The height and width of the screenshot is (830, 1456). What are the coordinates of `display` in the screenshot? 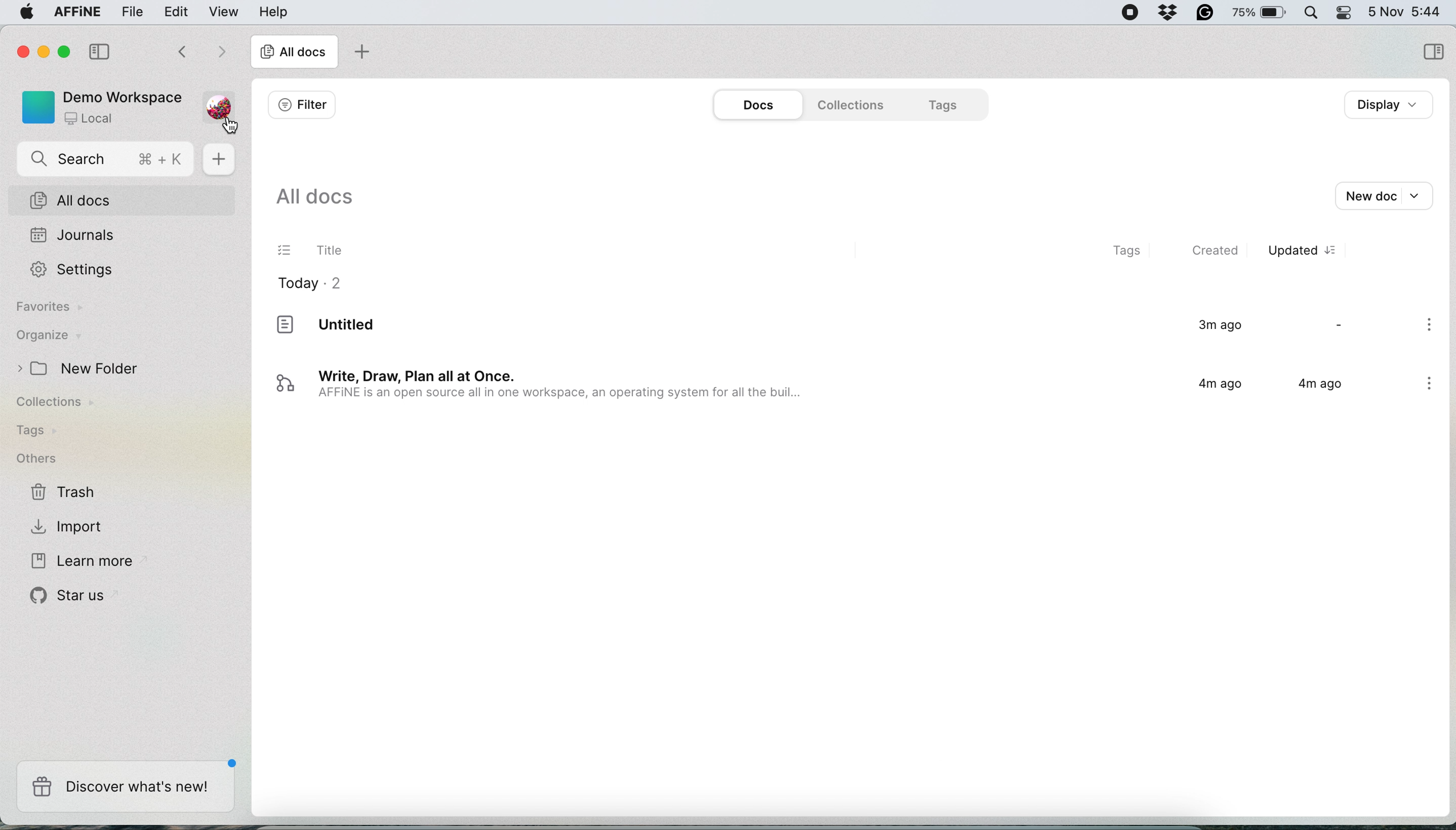 It's located at (1393, 105).